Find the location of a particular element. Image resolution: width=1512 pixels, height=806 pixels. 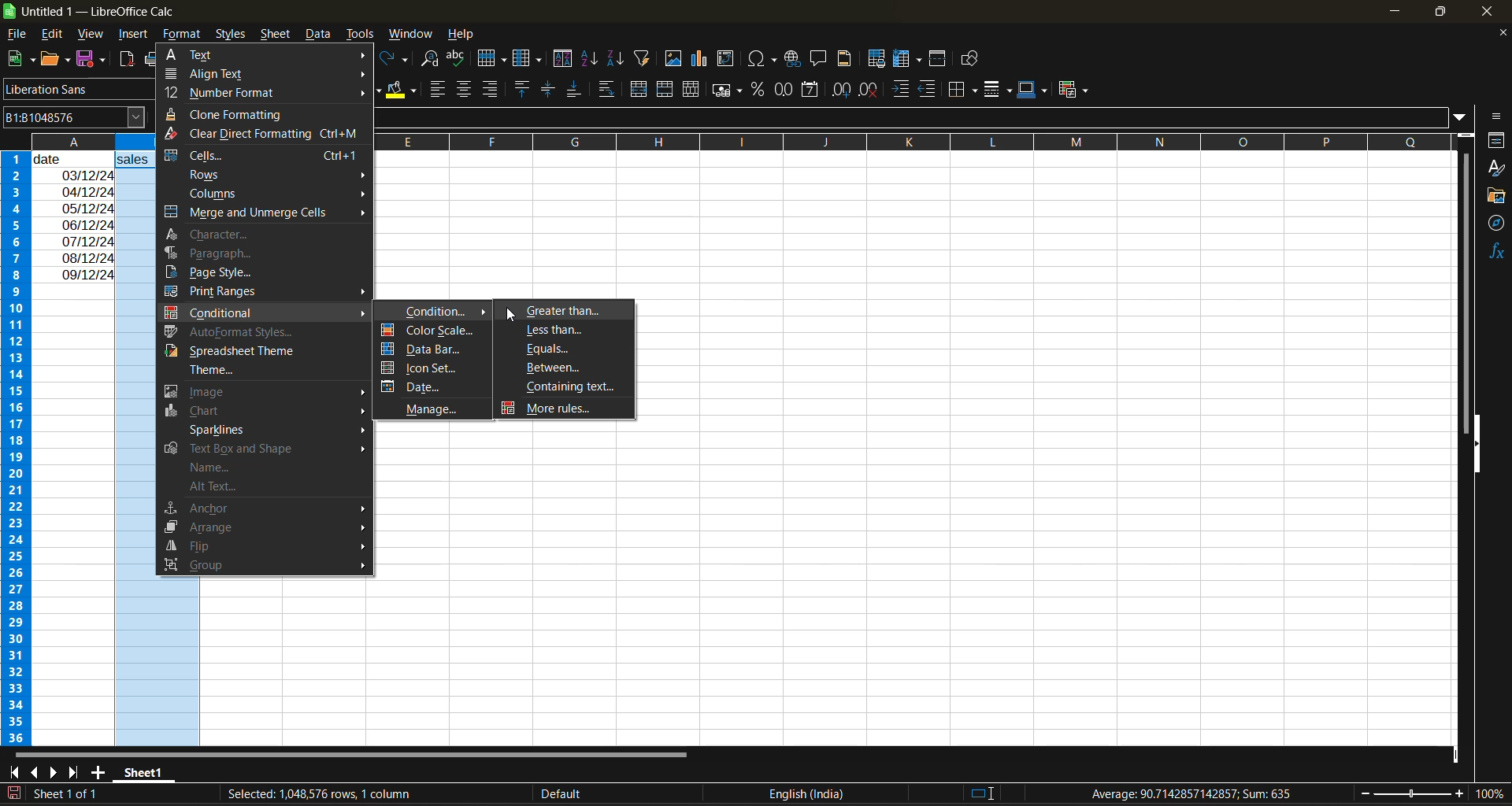

text language is located at coordinates (676, 793).